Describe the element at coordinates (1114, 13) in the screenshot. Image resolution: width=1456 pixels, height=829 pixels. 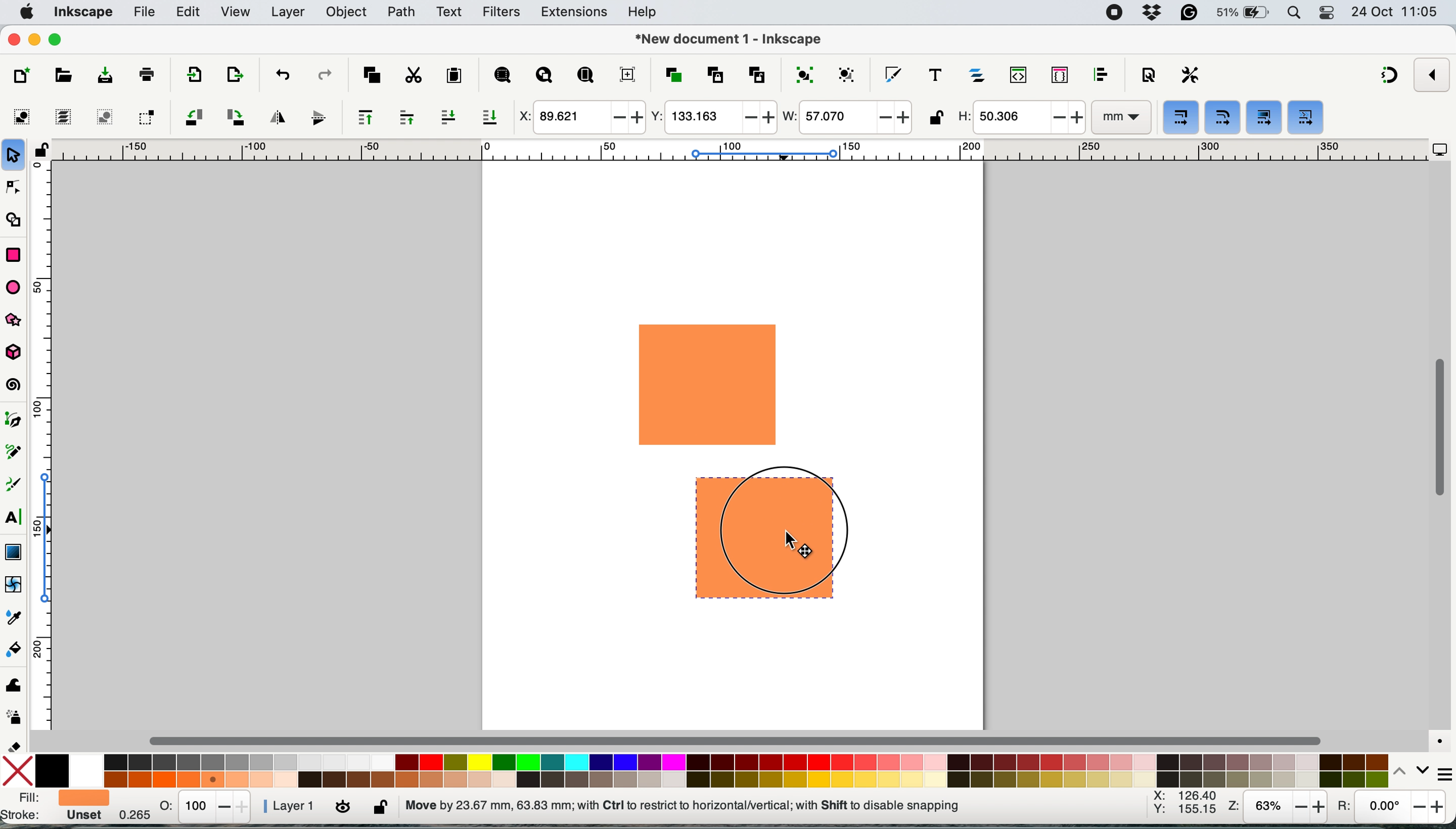
I see `screen recorder` at that location.